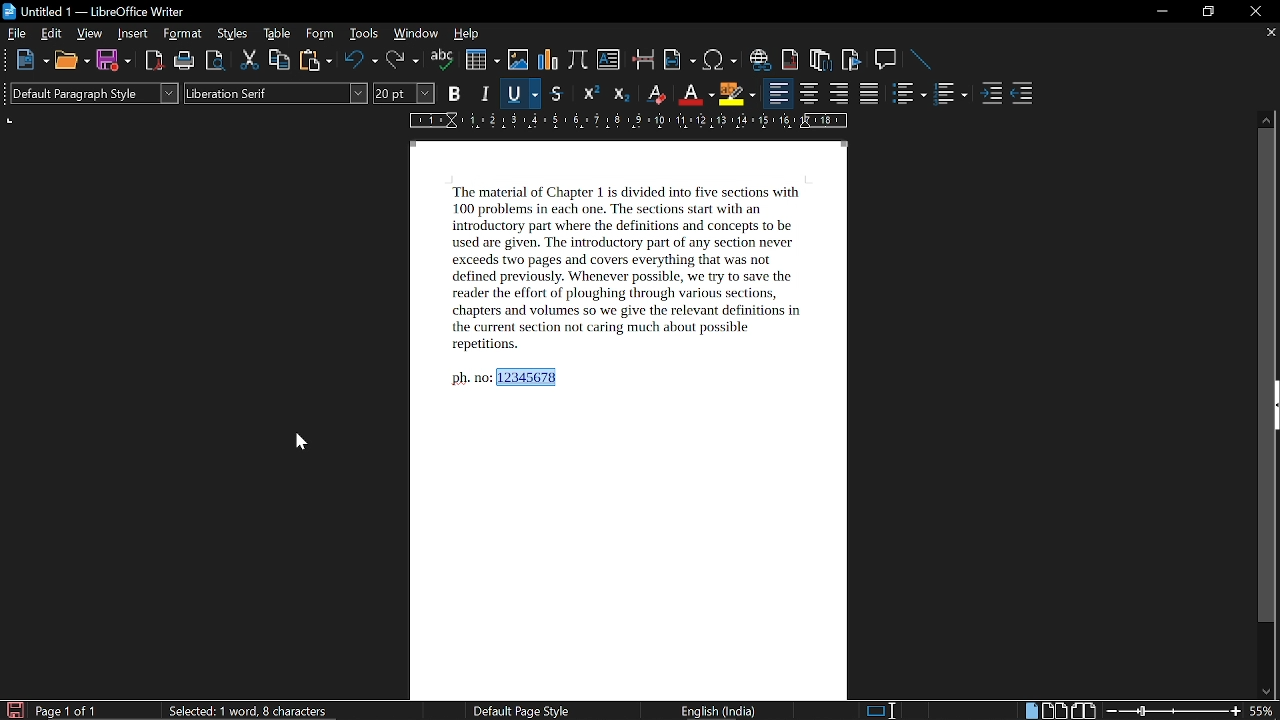  What do you see at coordinates (1055, 711) in the screenshot?
I see `multiple page view` at bounding box center [1055, 711].